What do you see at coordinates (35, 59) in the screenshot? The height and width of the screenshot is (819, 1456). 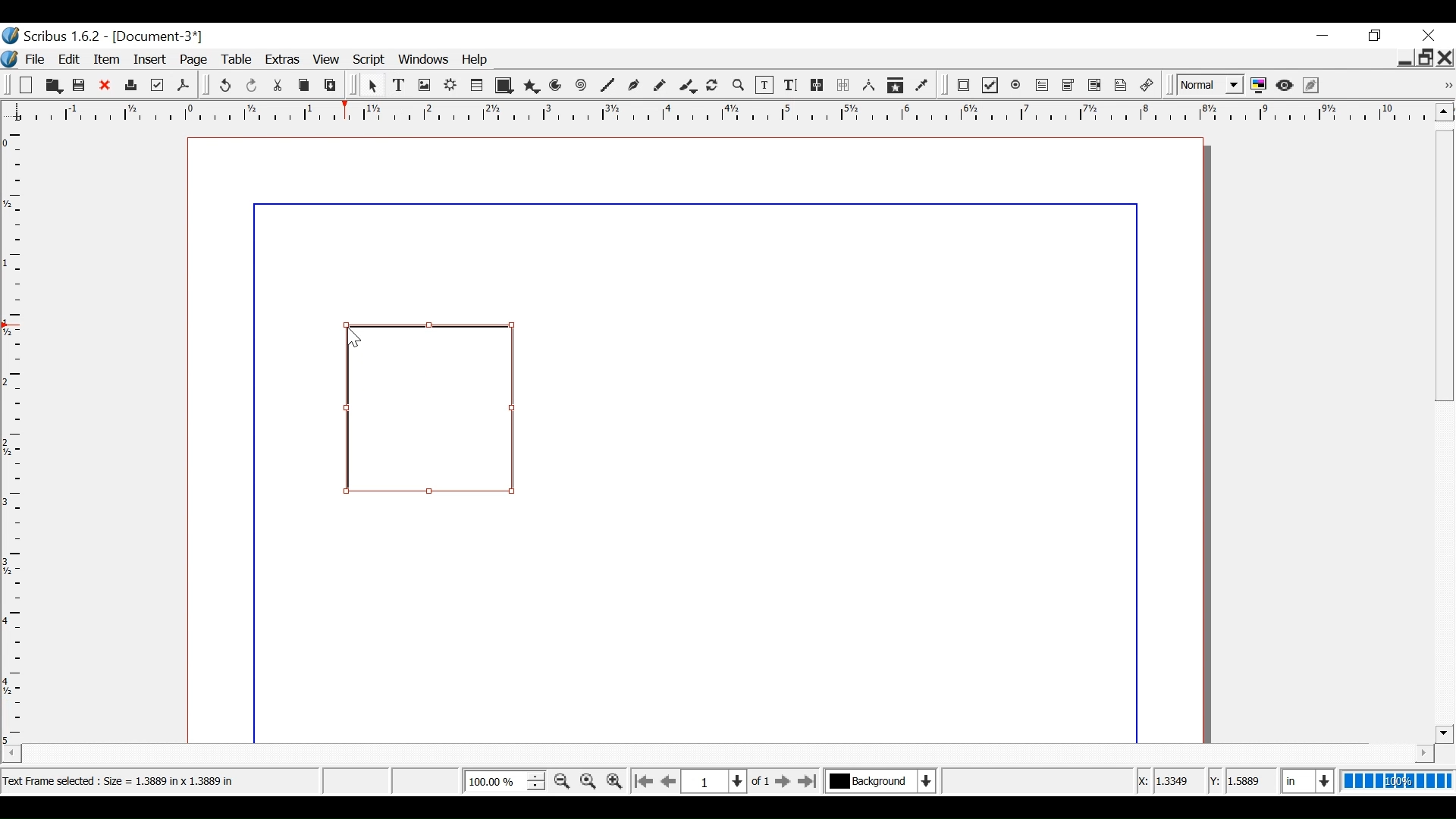 I see `File` at bounding box center [35, 59].